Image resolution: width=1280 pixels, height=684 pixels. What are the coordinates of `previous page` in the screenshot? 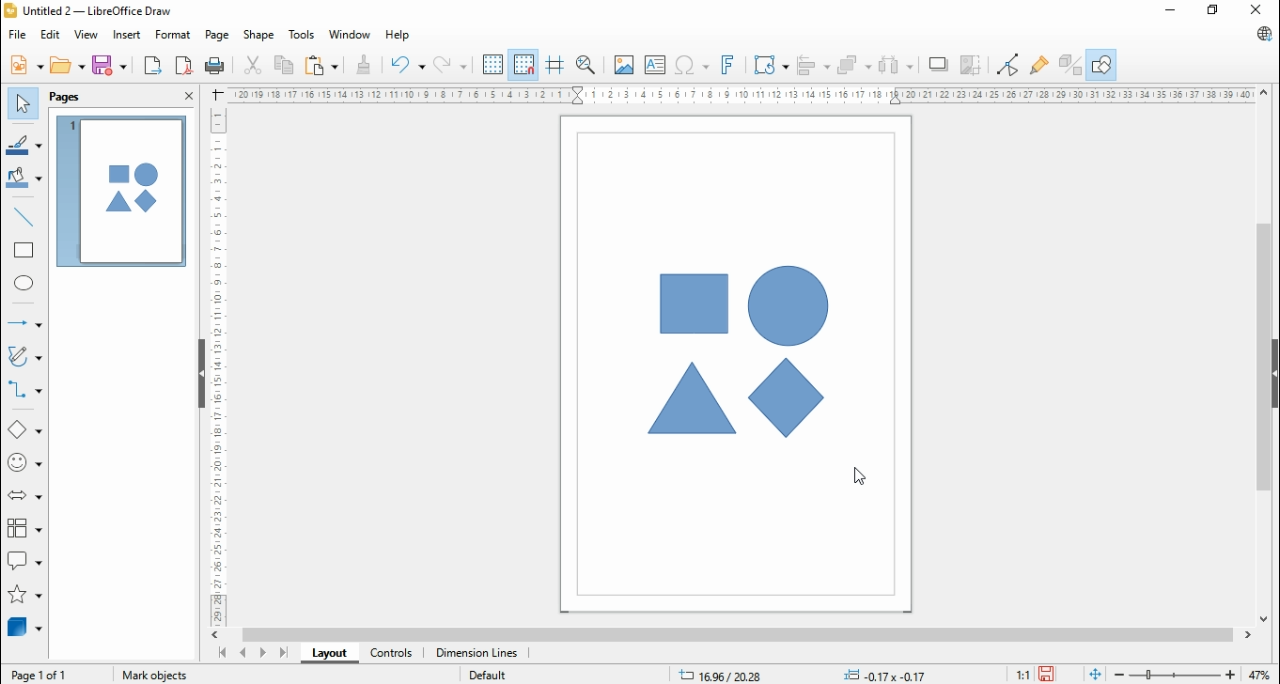 It's located at (243, 652).